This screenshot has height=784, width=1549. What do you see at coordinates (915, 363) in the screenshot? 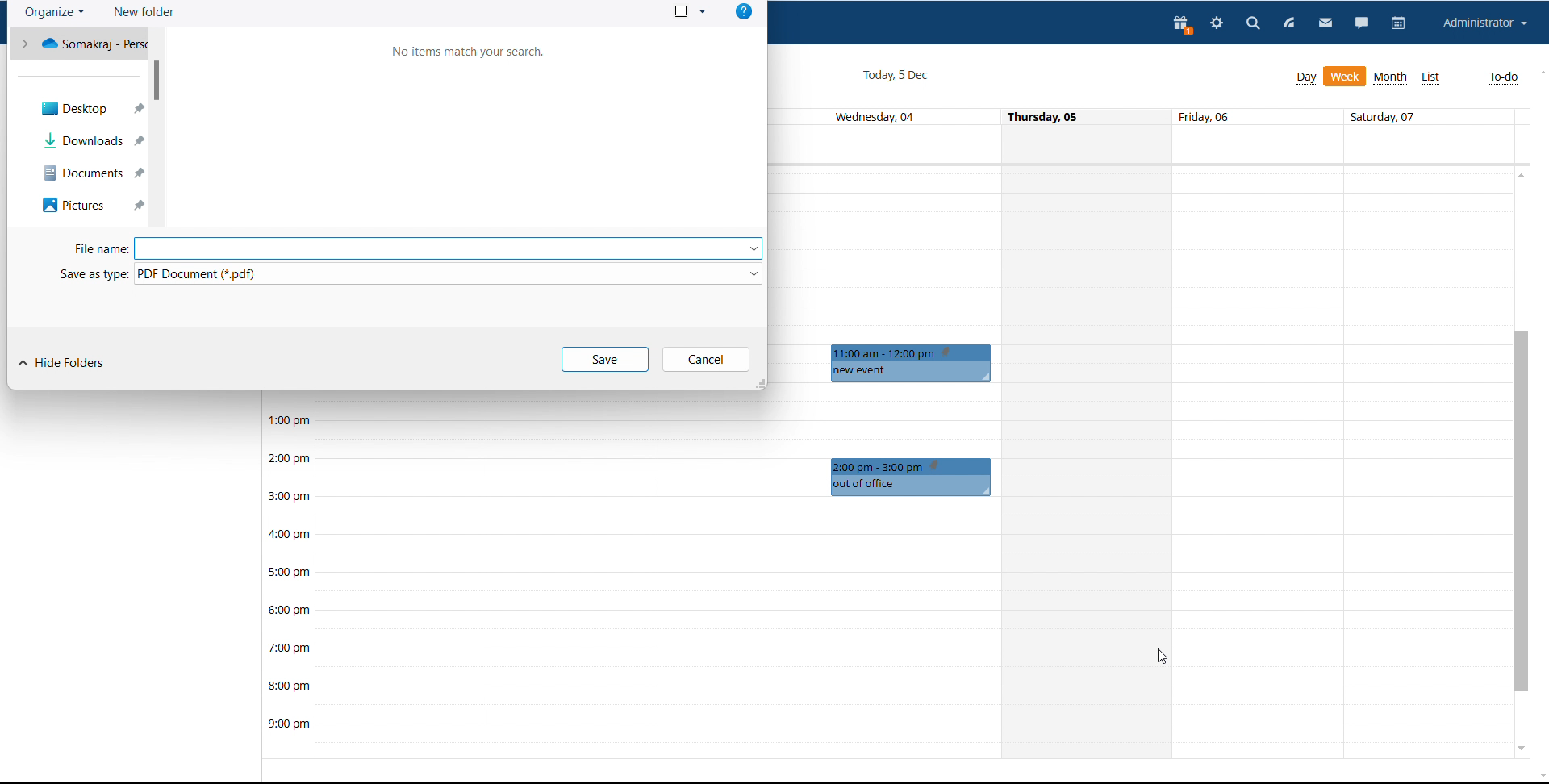
I see `scheduled events` at bounding box center [915, 363].